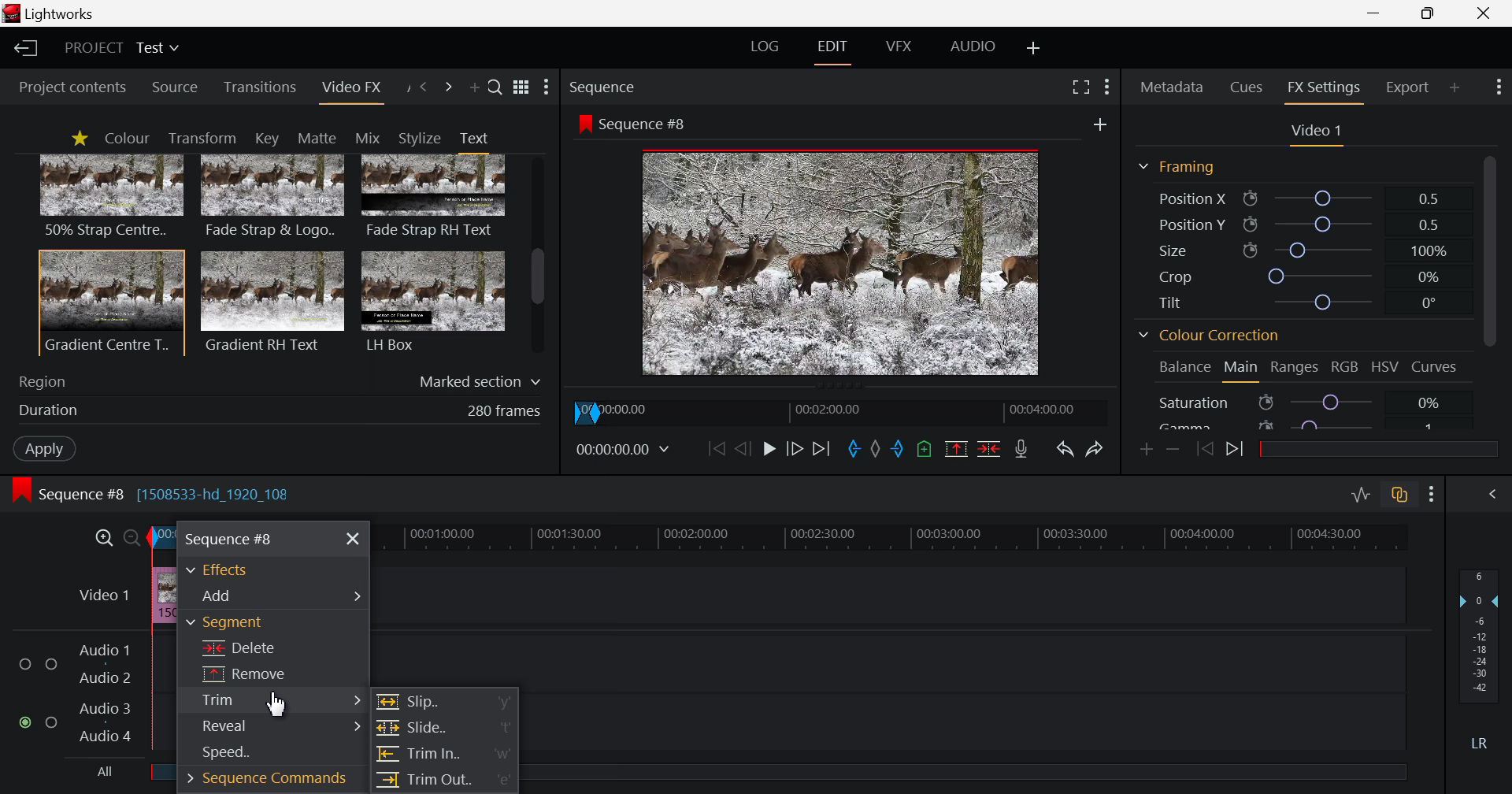 The height and width of the screenshot is (794, 1512). Describe the element at coordinates (1496, 495) in the screenshot. I see `Show Audio Mix` at that location.